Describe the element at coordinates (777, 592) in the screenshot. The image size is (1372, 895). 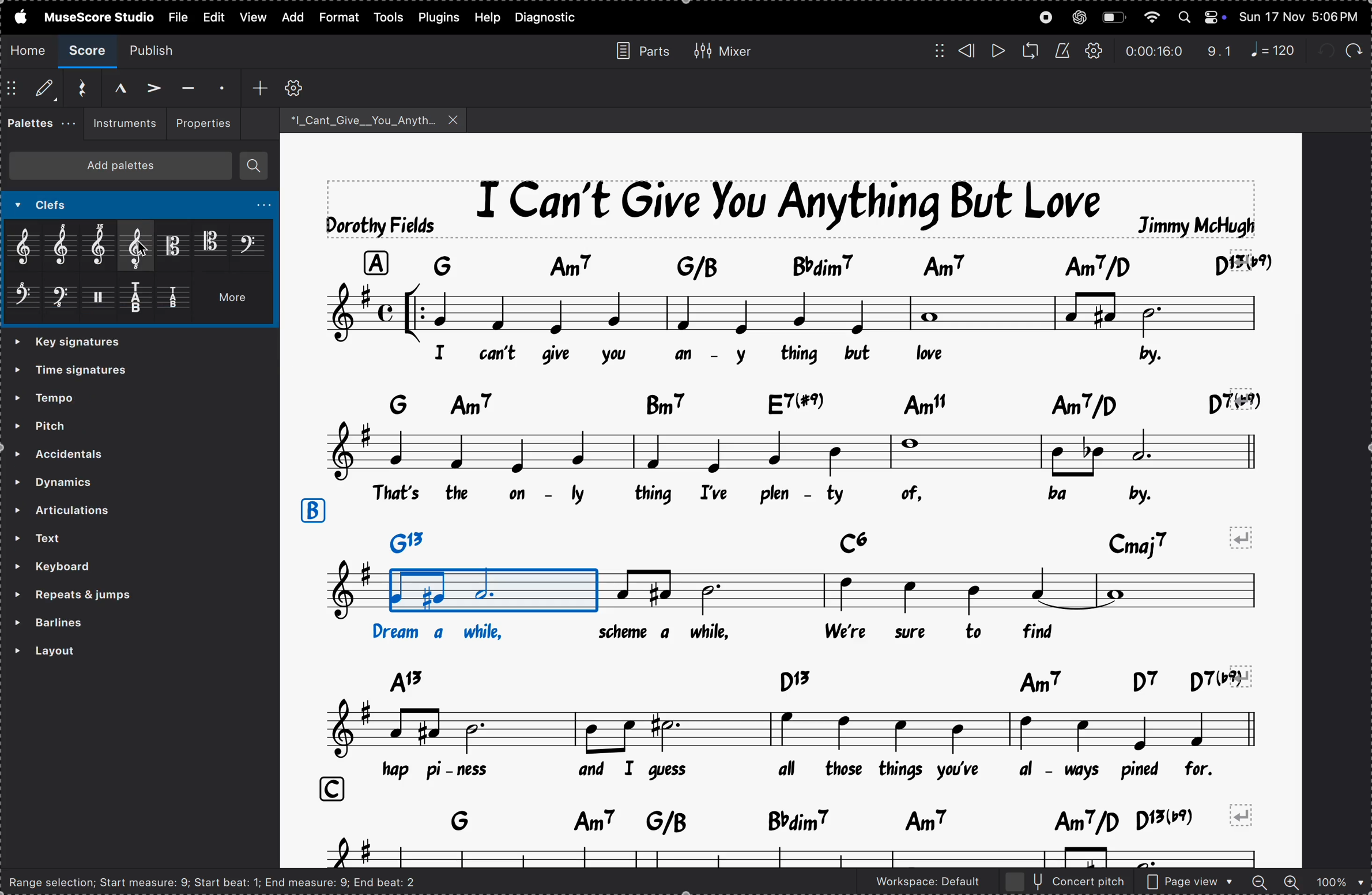
I see `notes` at that location.